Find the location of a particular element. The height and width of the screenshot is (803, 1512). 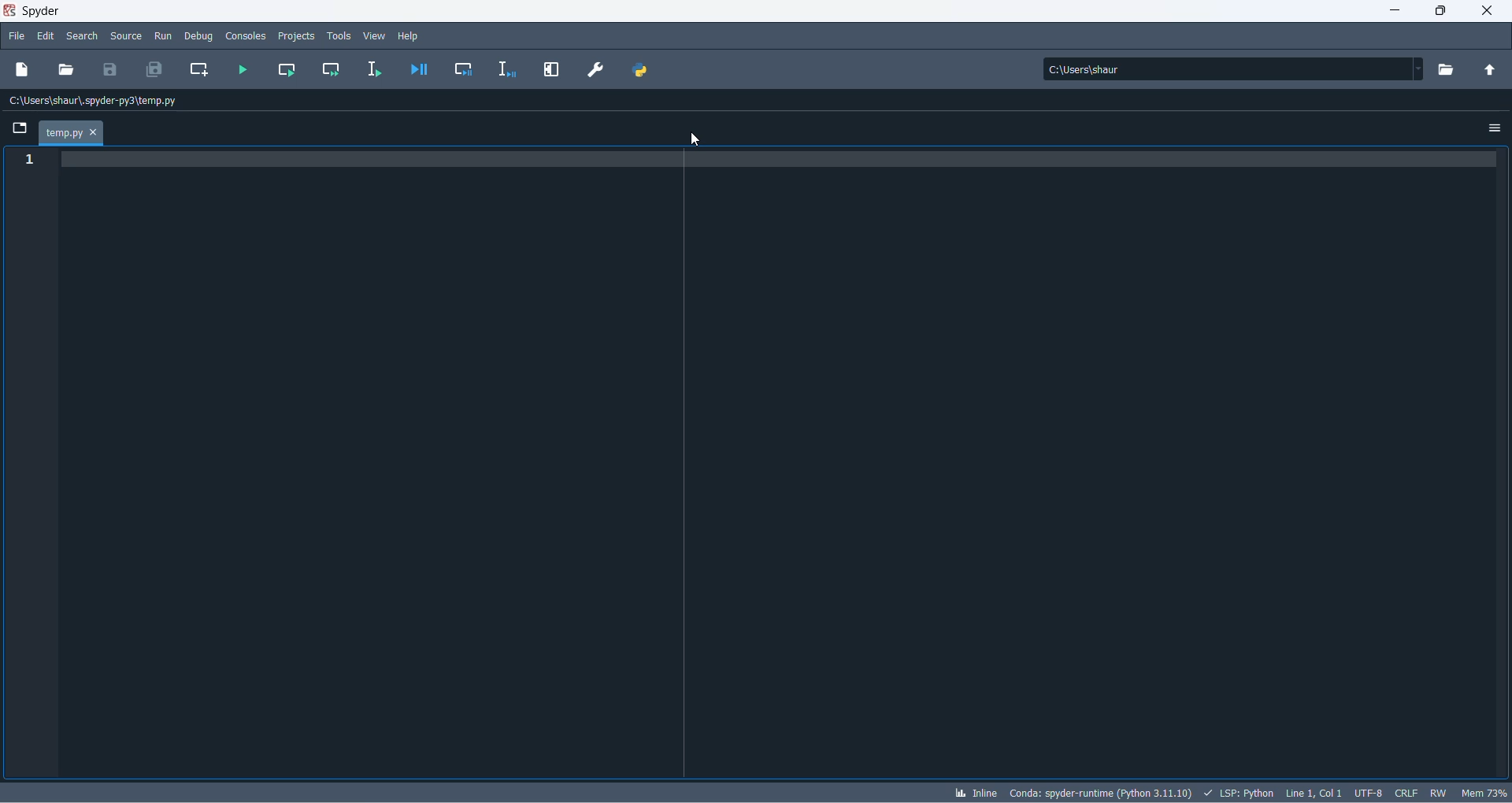

tools is located at coordinates (339, 35).